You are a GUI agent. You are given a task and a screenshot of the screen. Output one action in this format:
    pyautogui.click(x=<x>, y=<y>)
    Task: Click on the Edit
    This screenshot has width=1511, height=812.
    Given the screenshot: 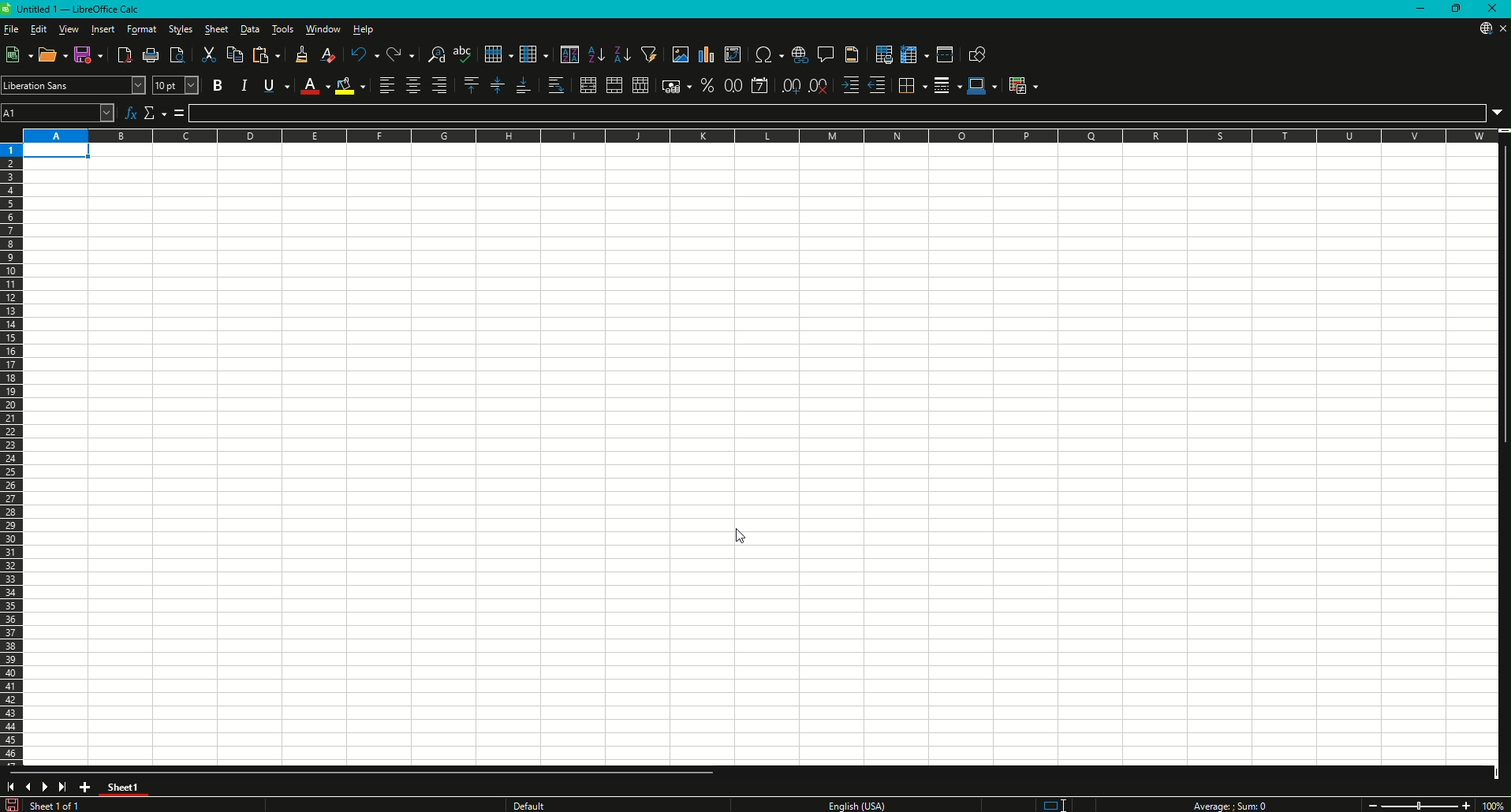 What is the action you would take?
    pyautogui.click(x=38, y=28)
    